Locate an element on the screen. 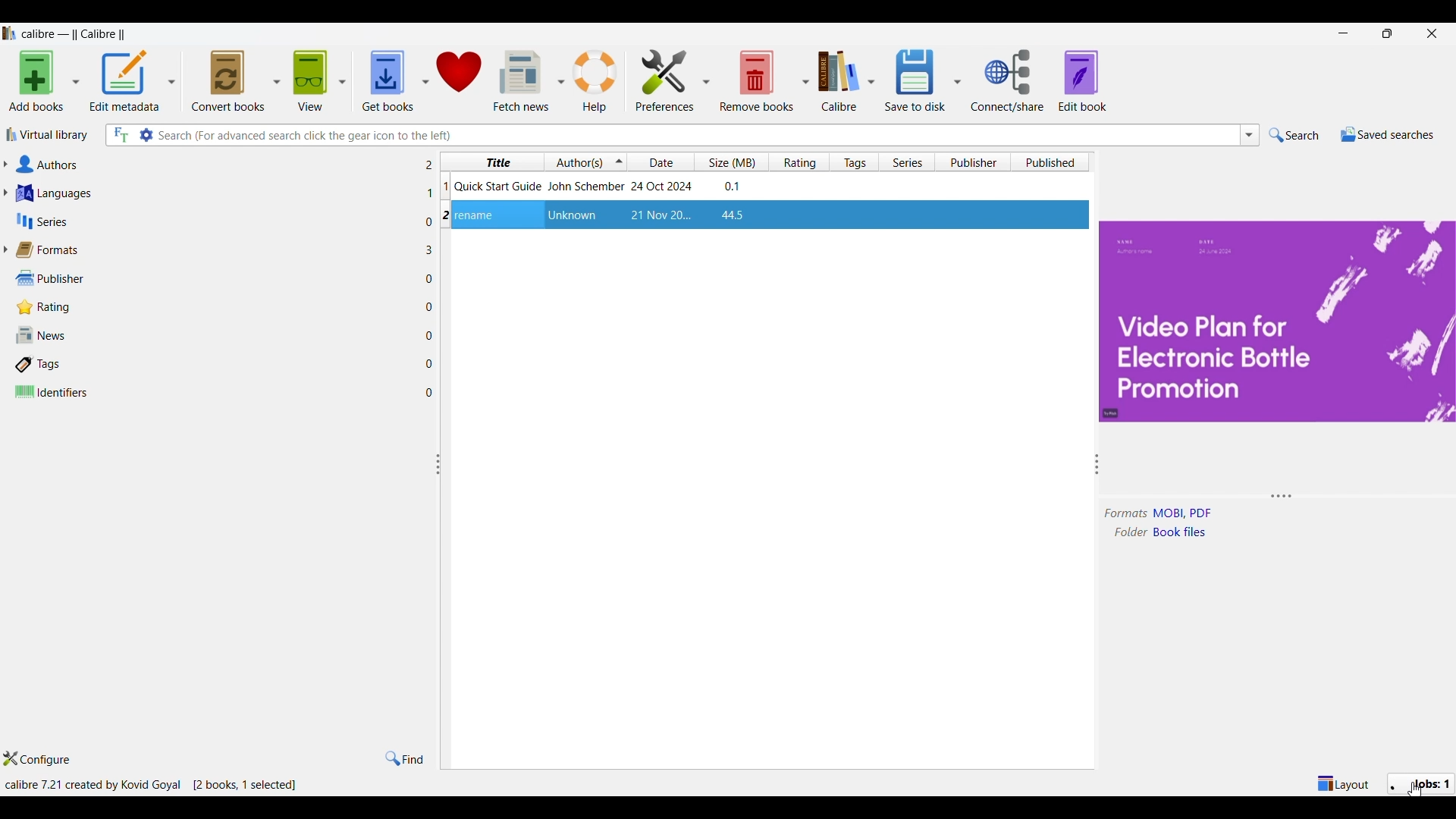  Convert books is located at coordinates (227, 80).